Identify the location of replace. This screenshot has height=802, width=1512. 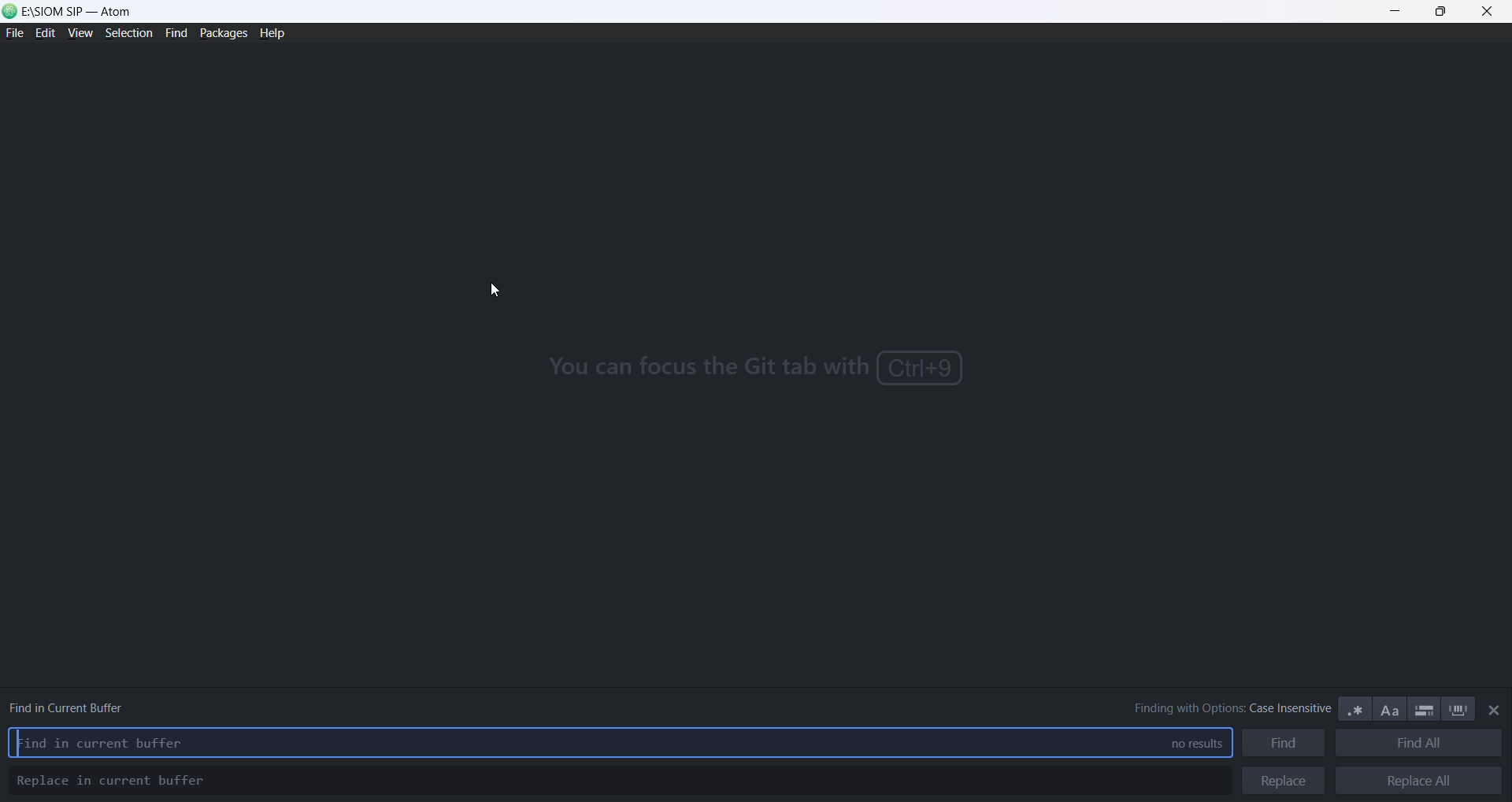
(1284, 780).